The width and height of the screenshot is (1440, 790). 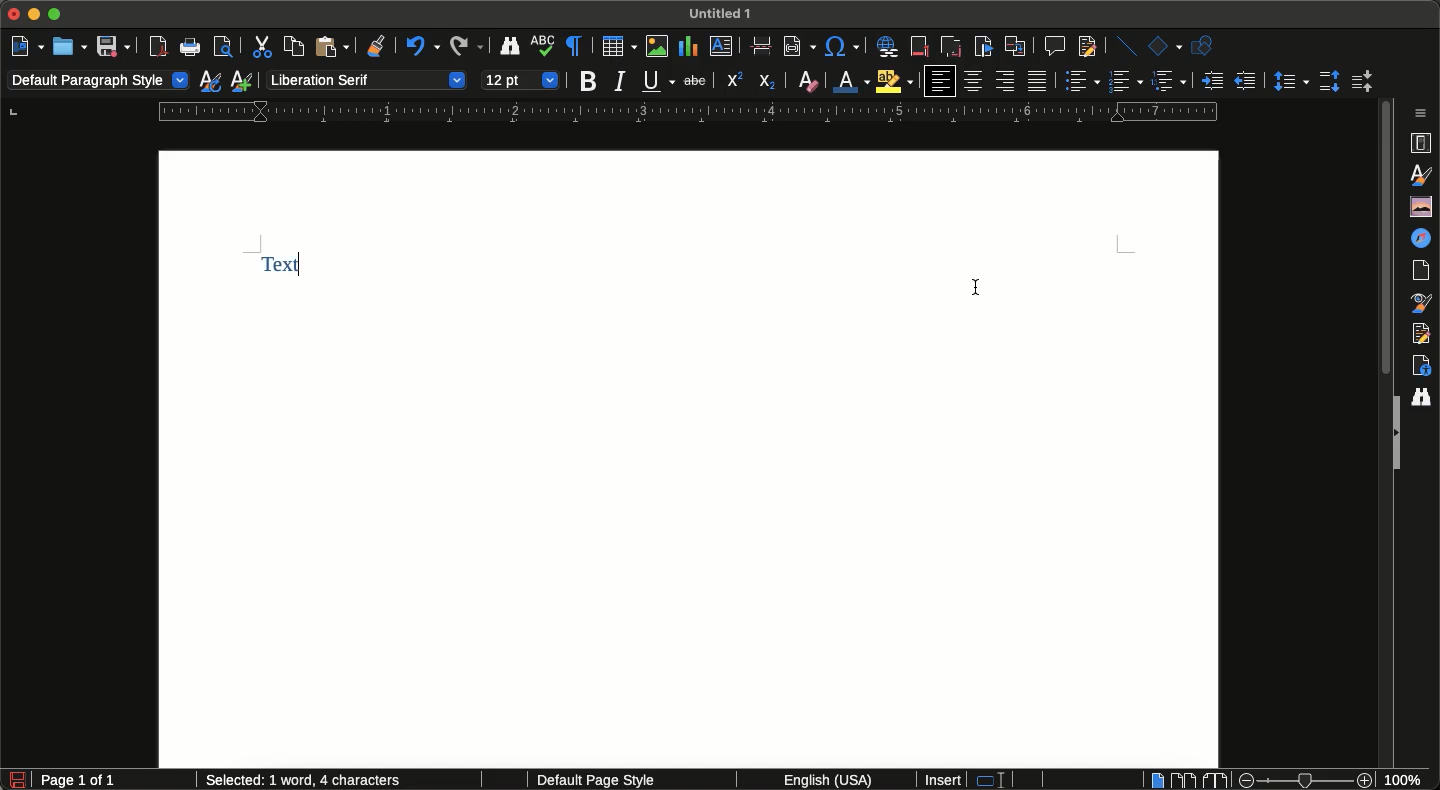 What do you see at coordinates (949, 45) in the screenshot?
I see `Insert endnote` at bounding box center [949, 45].